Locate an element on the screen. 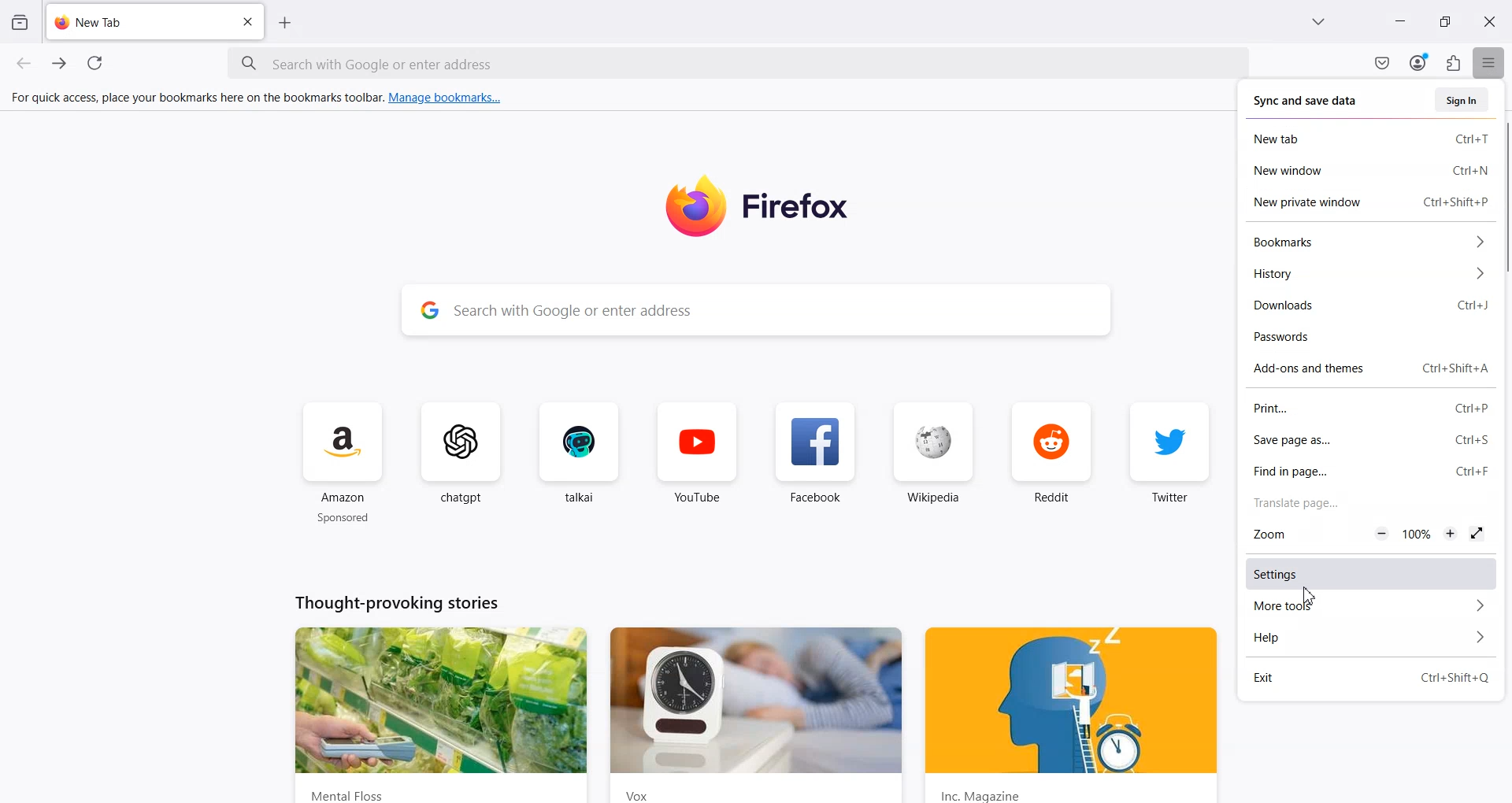 Image resolution: width=1512 pixels, height=803 pixels. Search bar is located at coordinates (755, 307).